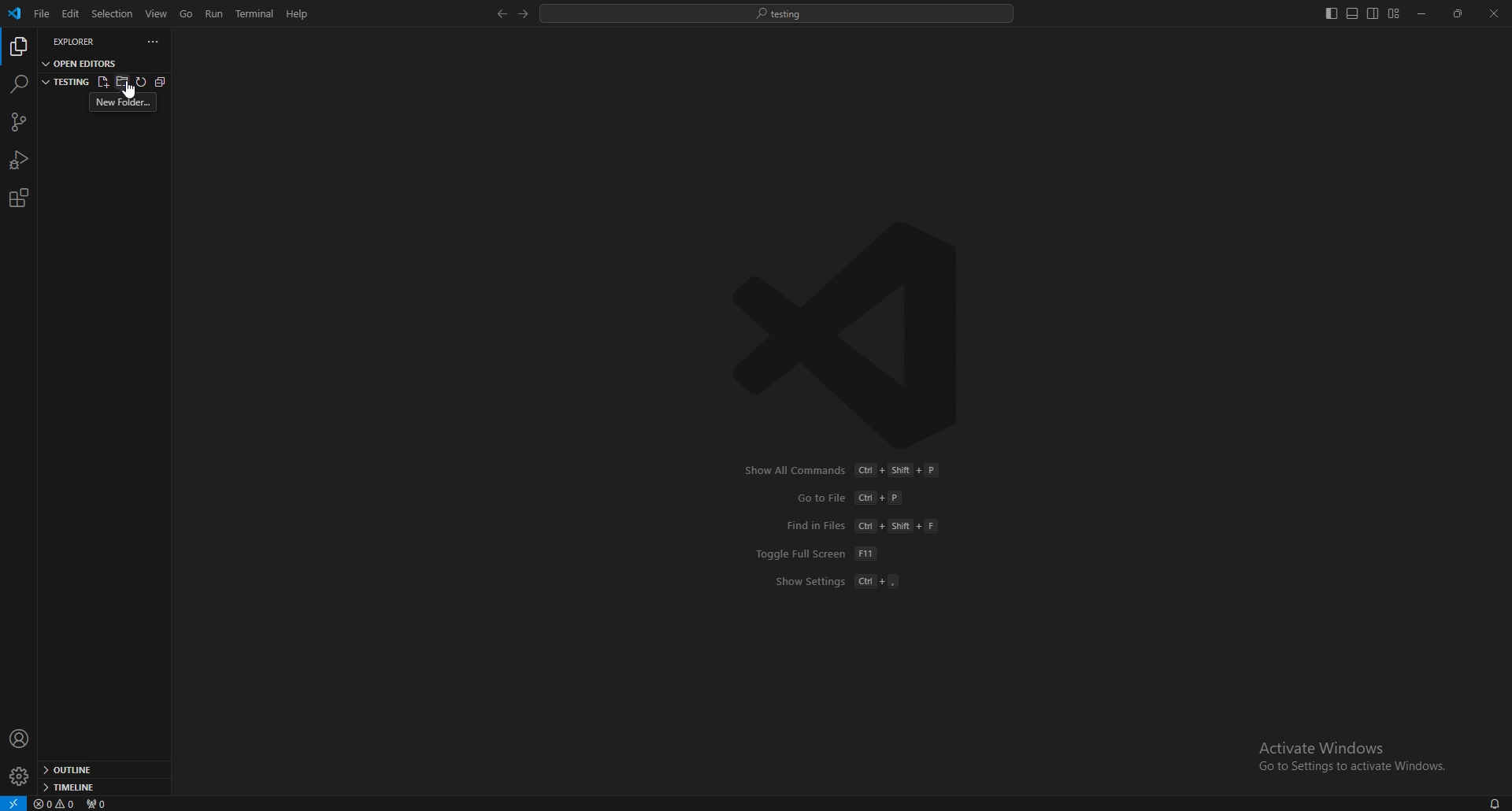 This screenshot has width=1512, height=811. Describe the element at coordinates (16, 13) in the screenshot. I see `vscode` at that location.